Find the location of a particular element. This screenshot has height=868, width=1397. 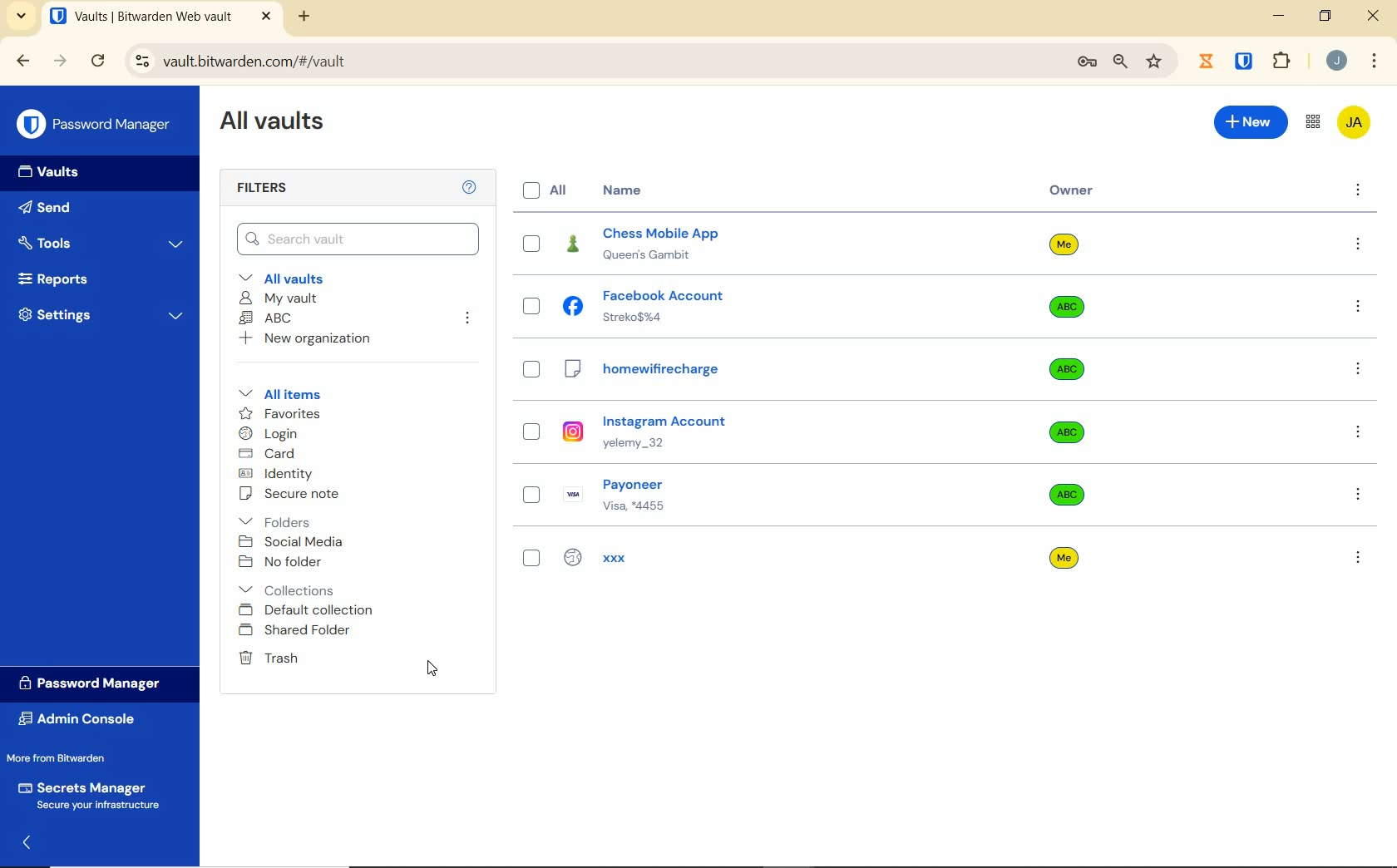

Name is located at coordinates (621, 191).